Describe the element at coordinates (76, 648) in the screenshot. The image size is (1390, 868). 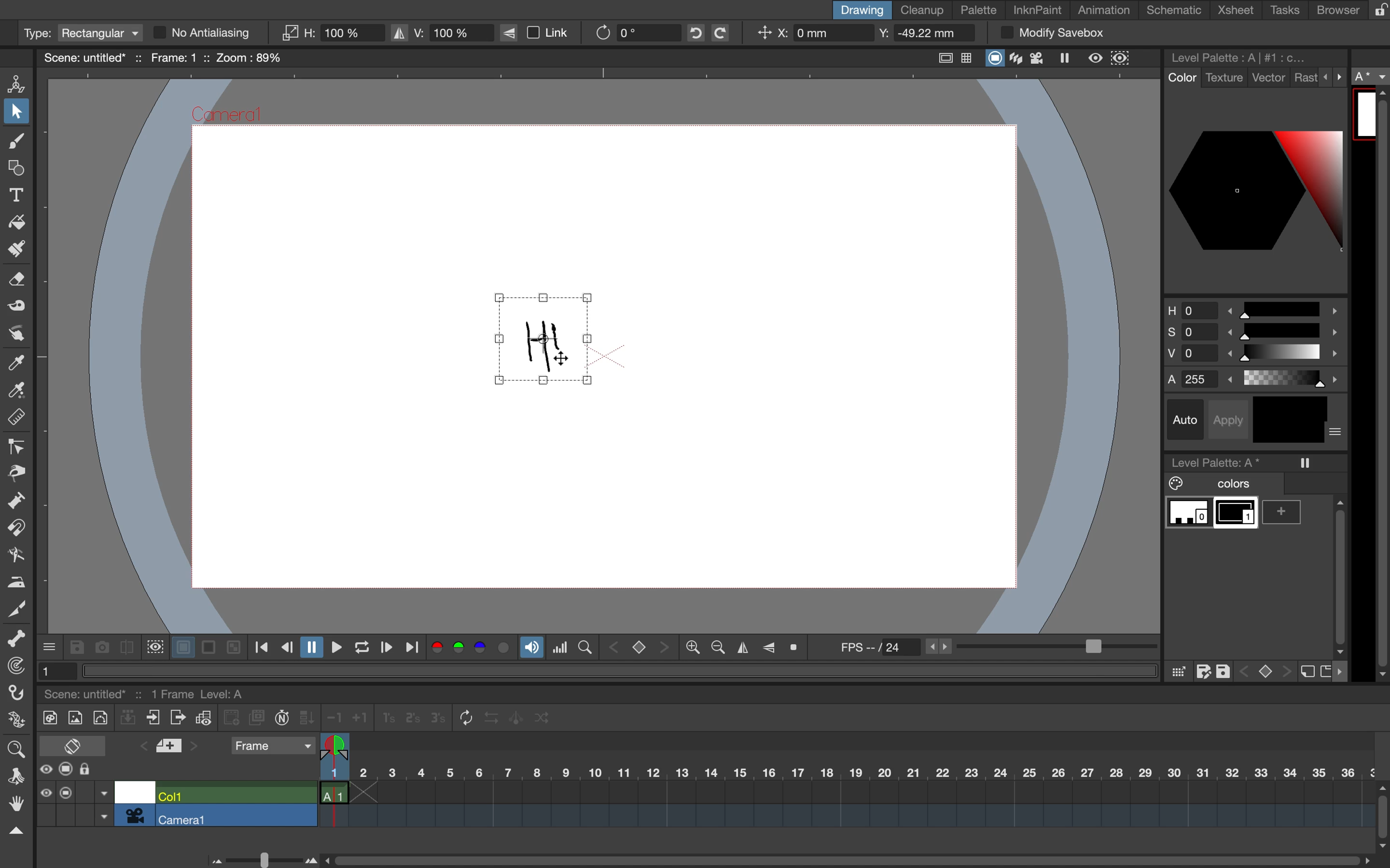
I see `save` at that location.